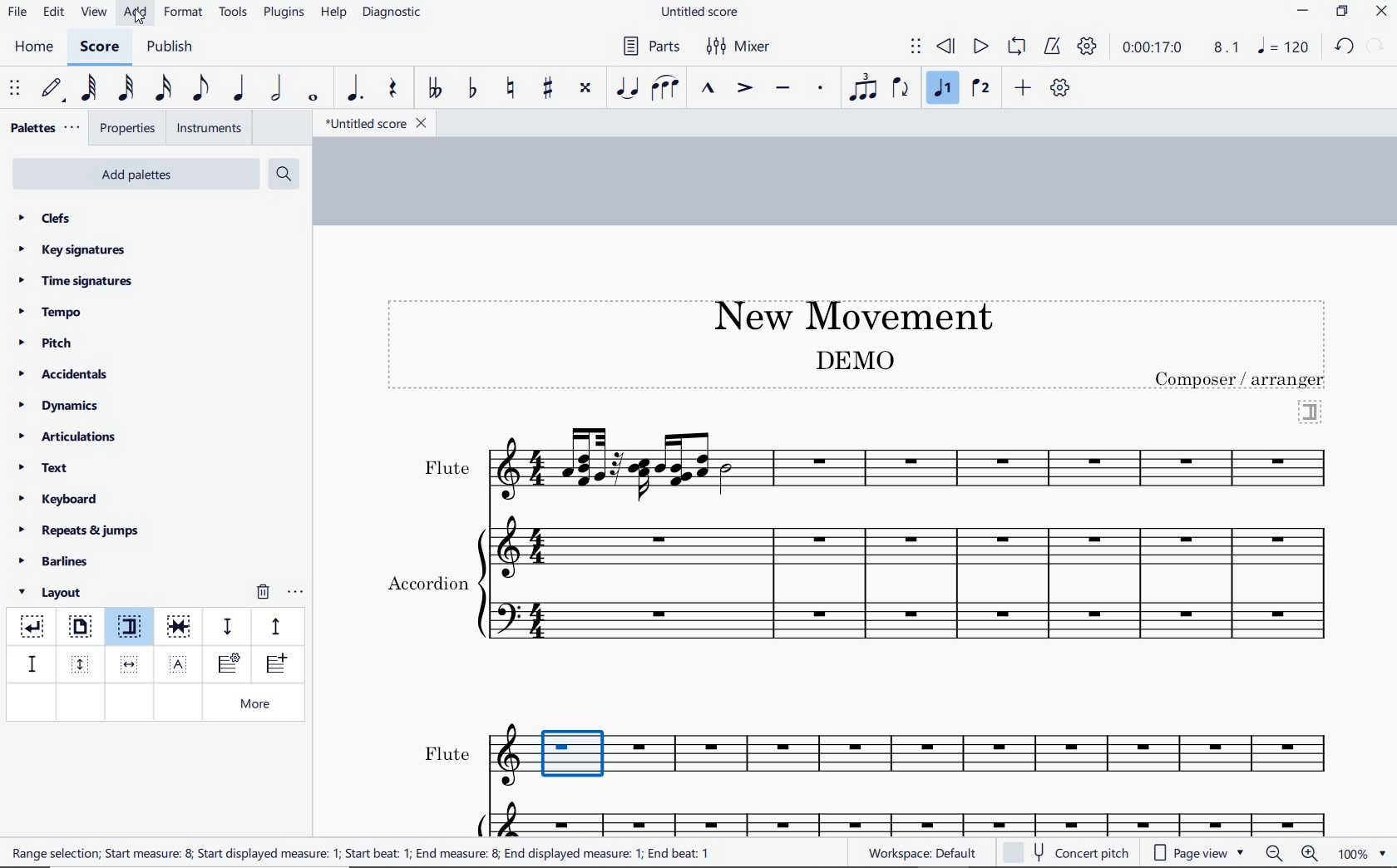 This screenshot has height=868, width=1397. What do you see at coordinates (353, 89) in the screenshot?
I see `augmentation dot` at bounding box center [353, 89].